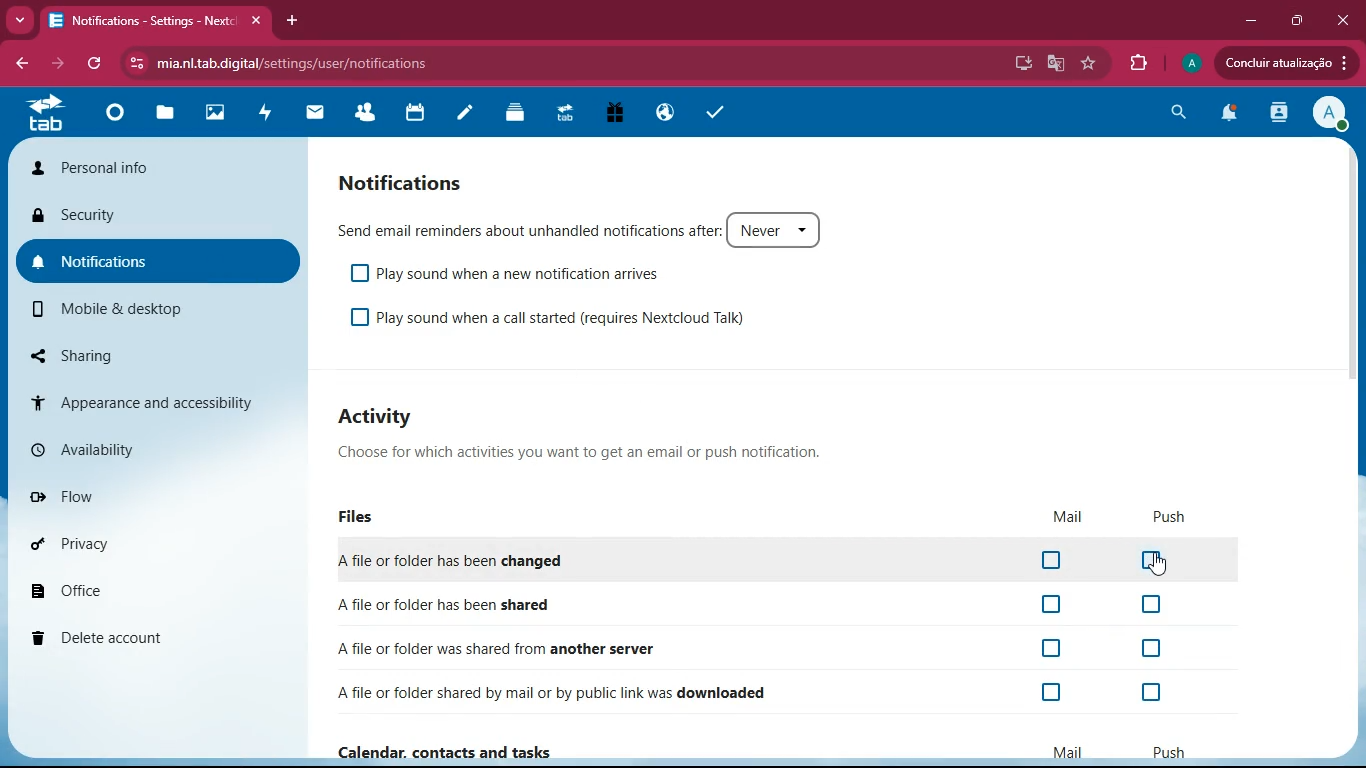  I want to click on mail, so click(316, 114).